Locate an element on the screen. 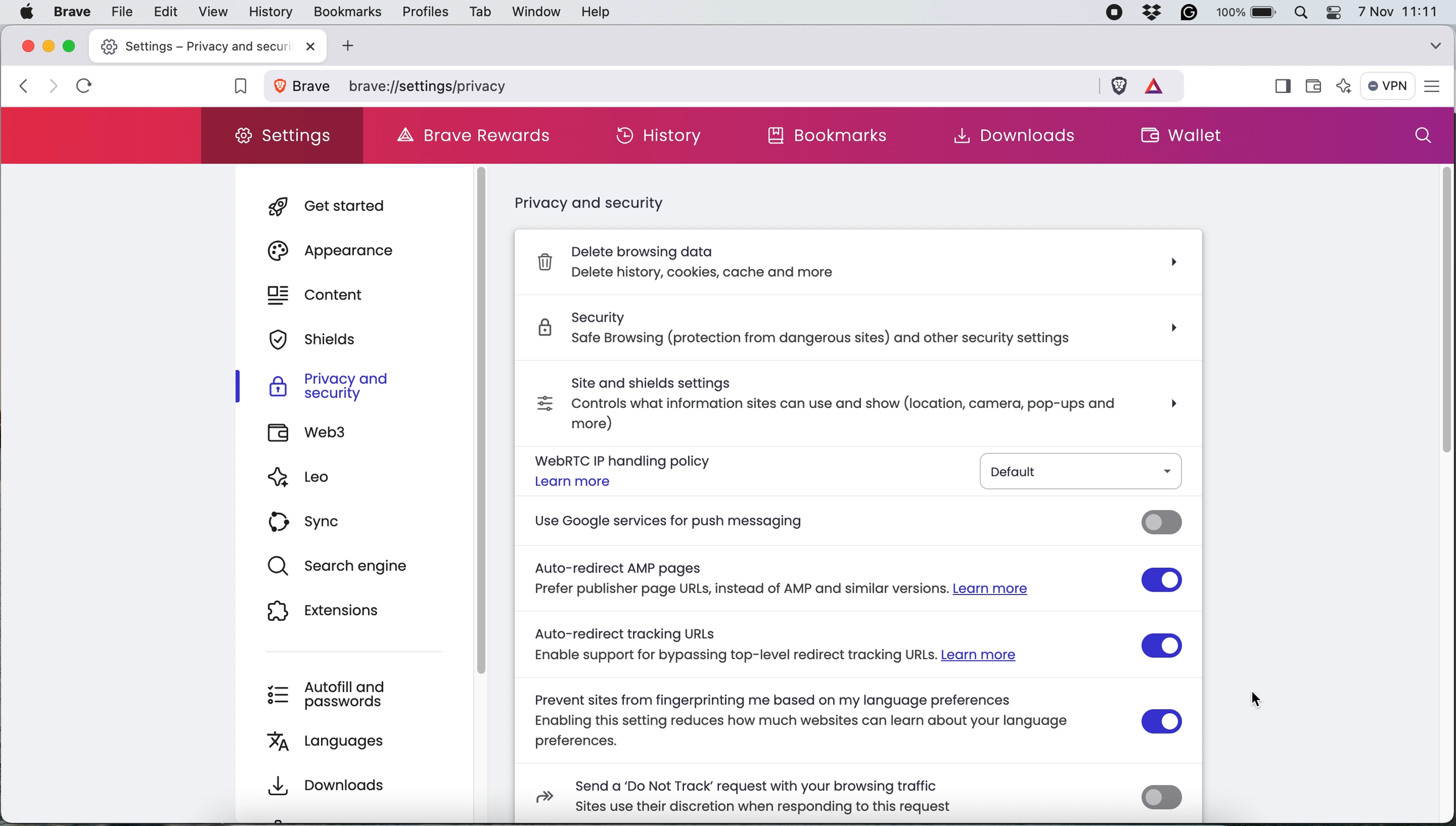 This screenshot has height=826, width=1456. auto redirect tracking URLs toggle switch is located at coordinates (1162, 646).